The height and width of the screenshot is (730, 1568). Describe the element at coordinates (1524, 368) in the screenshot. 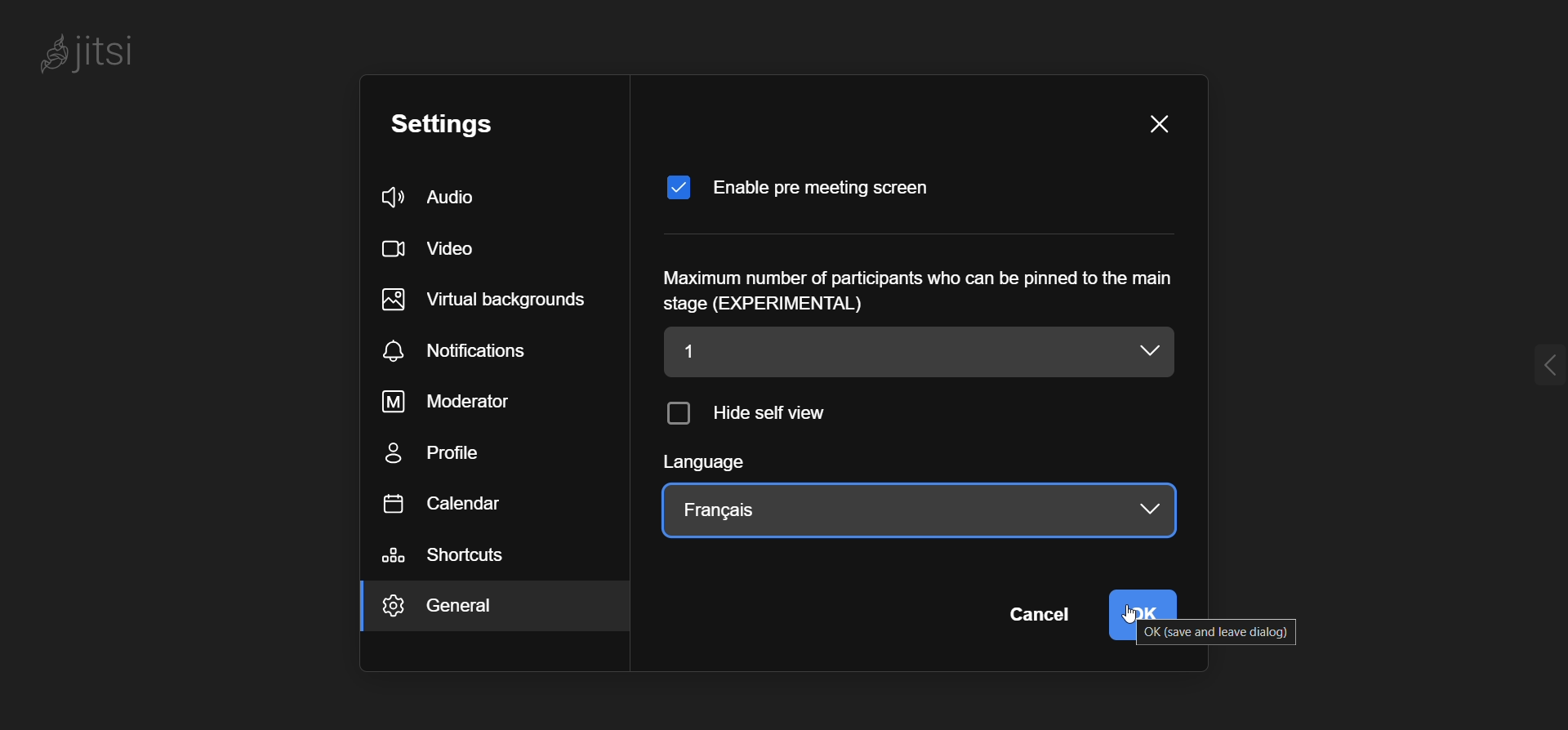

I see `Expand` at that location.